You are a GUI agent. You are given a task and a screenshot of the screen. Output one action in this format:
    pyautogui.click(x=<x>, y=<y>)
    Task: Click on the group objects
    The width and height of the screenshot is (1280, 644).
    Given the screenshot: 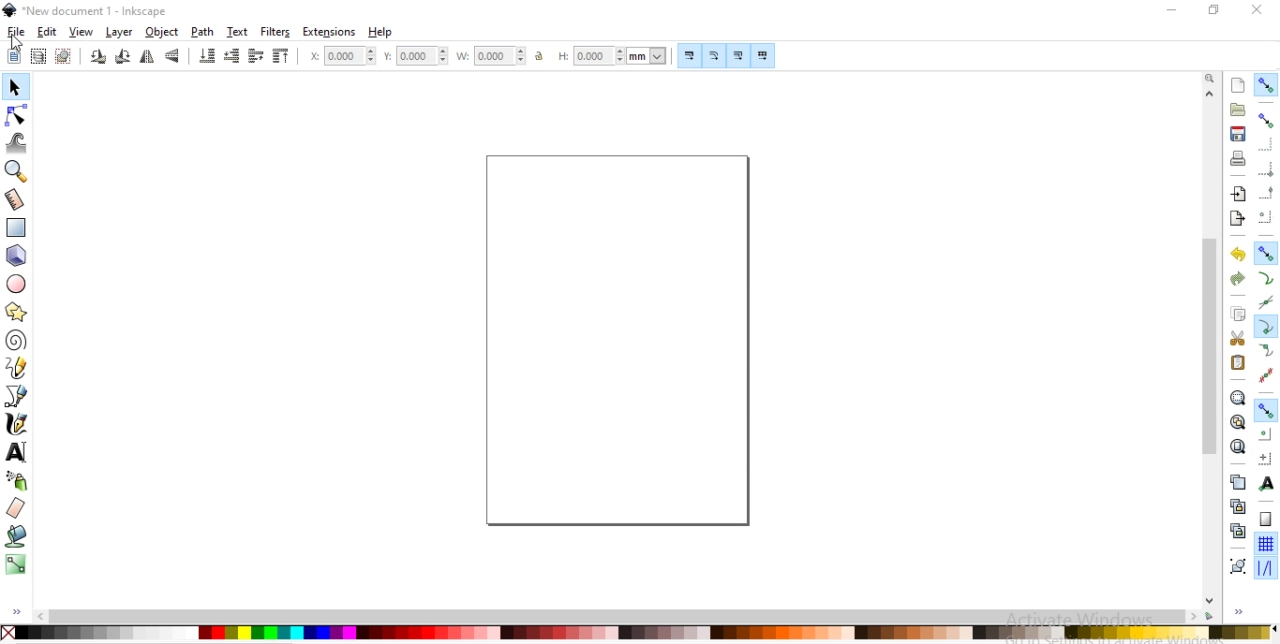 What is the action you would take?
    pyautogui.click(x=1236, y=566)
    